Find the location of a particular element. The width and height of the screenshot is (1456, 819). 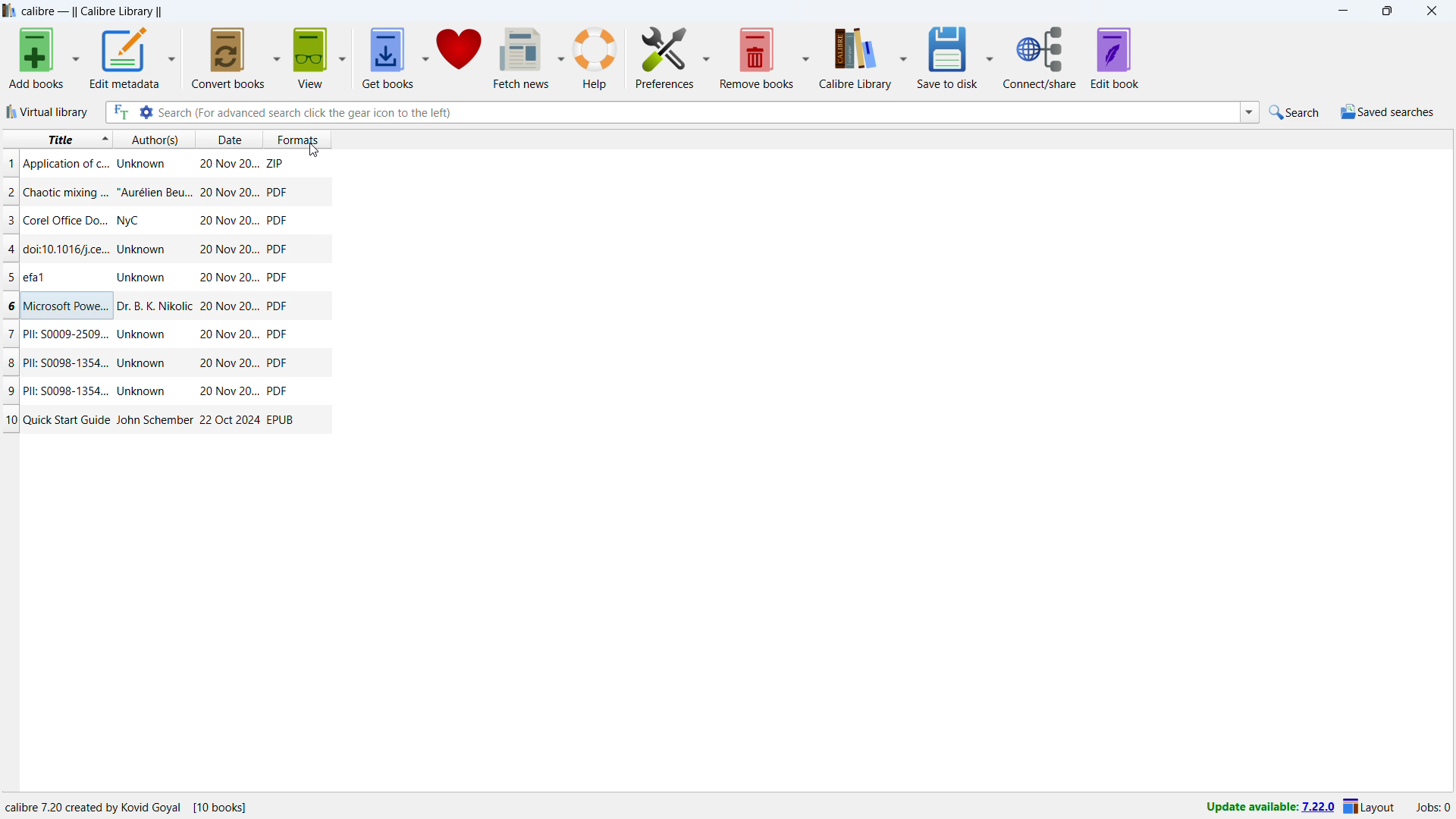

date is located at coordinates (230, 363).